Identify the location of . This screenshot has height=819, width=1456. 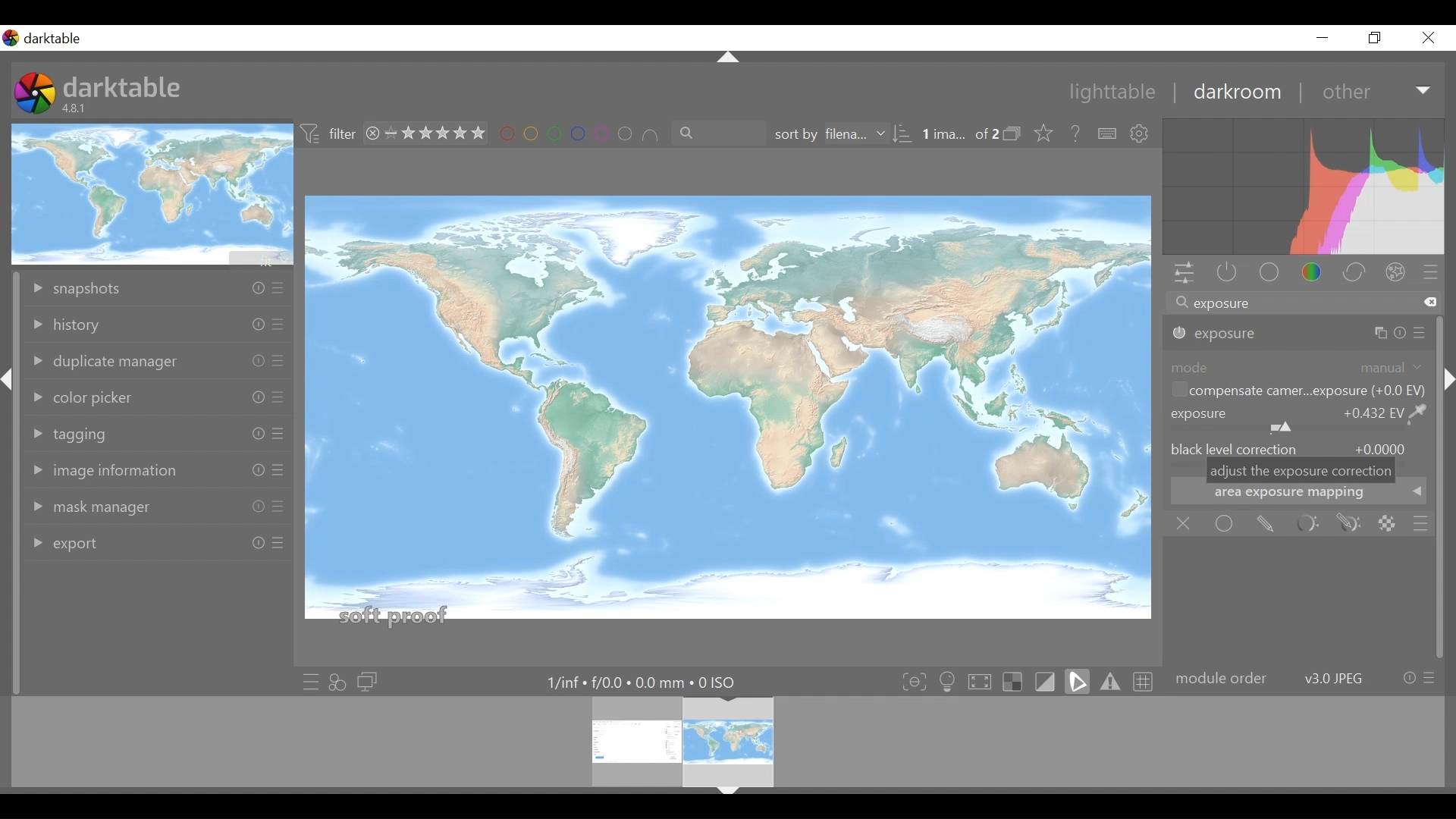
(278, 548).